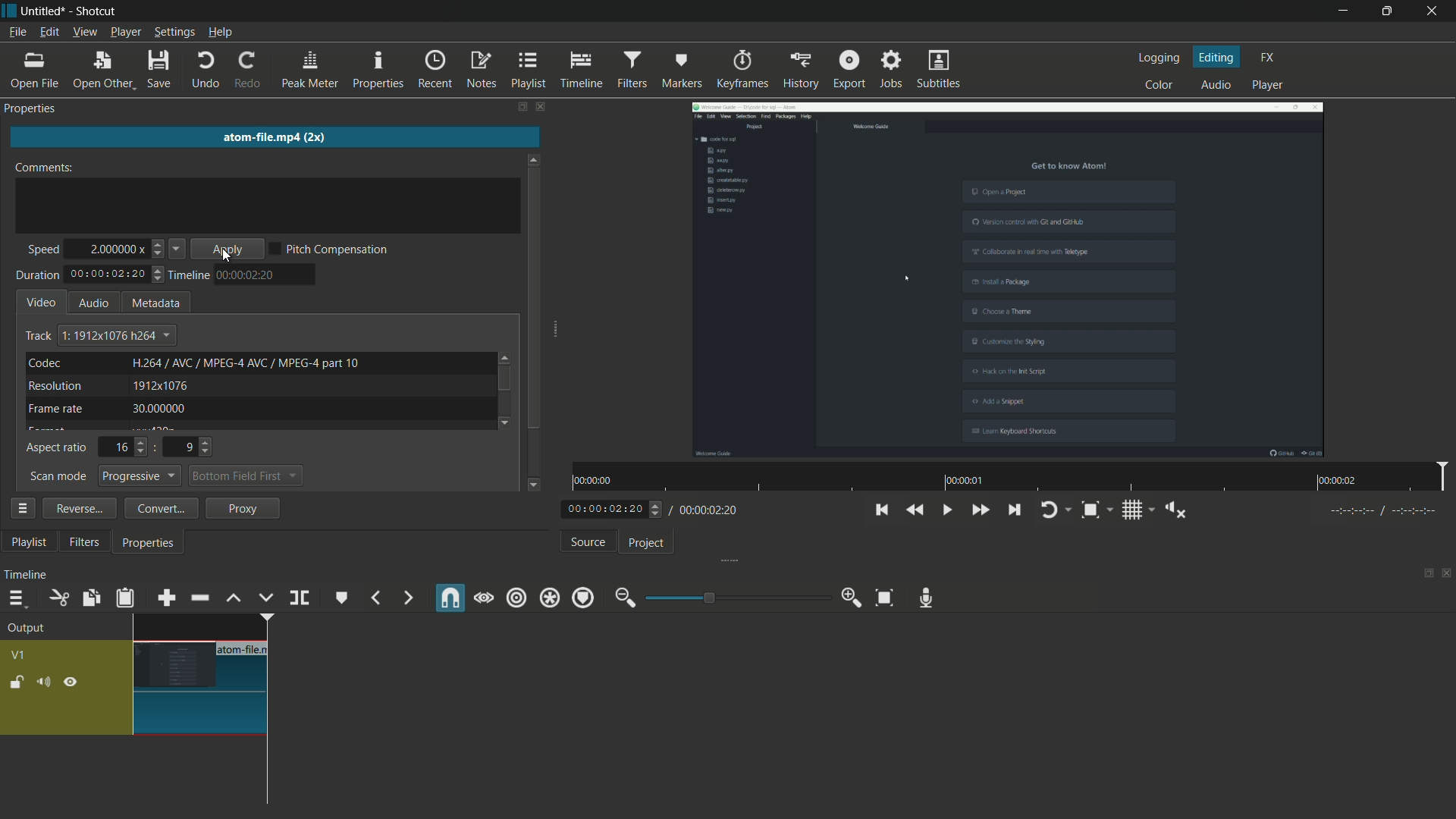 Image resolution: width=1456 pixels, height=819 pixels. Describe the element at coordinates (249, 70) in the screenshot. I see `redo` at that location.